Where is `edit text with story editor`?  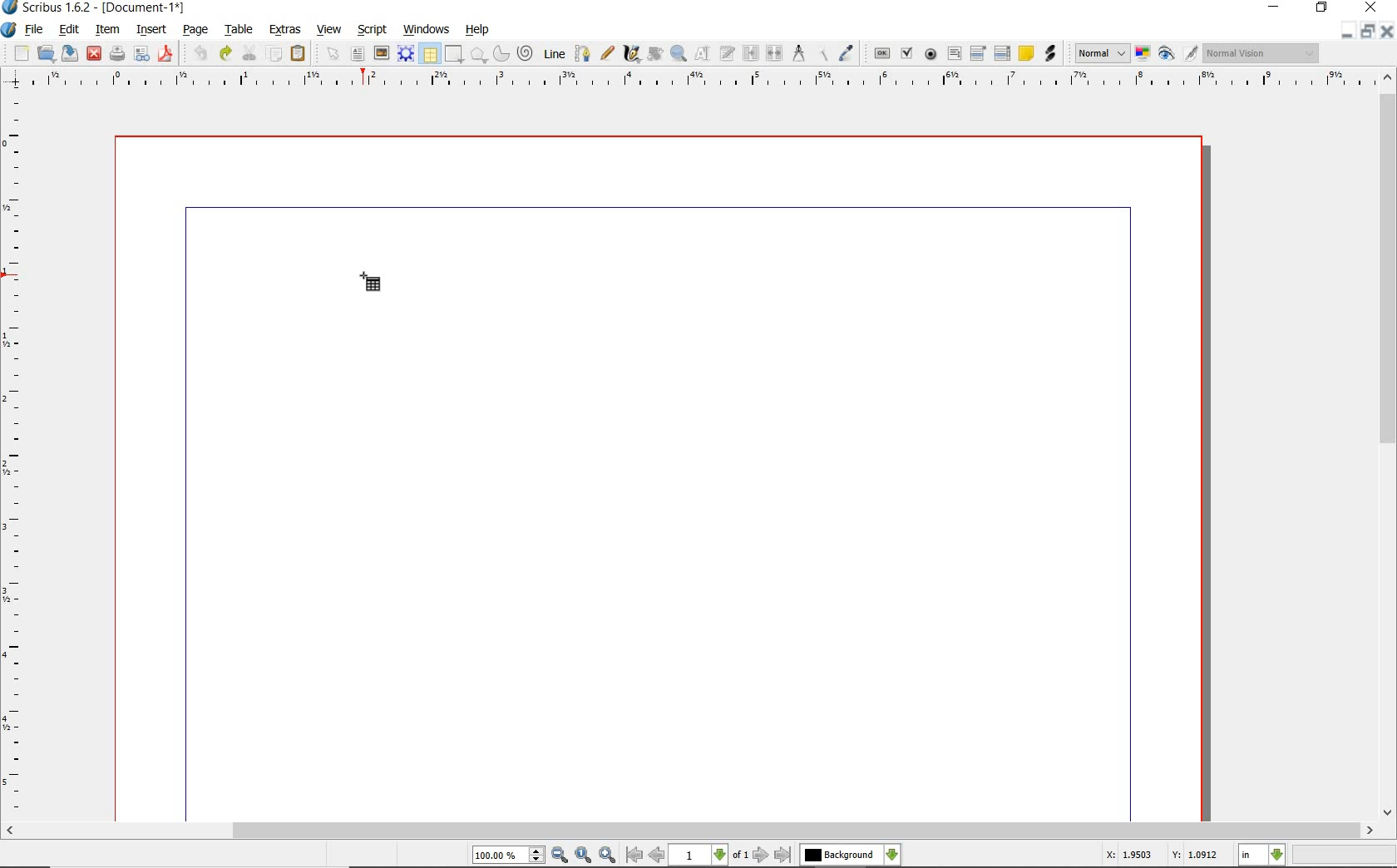 edit text with story editor is located at coordinates (728, 52).